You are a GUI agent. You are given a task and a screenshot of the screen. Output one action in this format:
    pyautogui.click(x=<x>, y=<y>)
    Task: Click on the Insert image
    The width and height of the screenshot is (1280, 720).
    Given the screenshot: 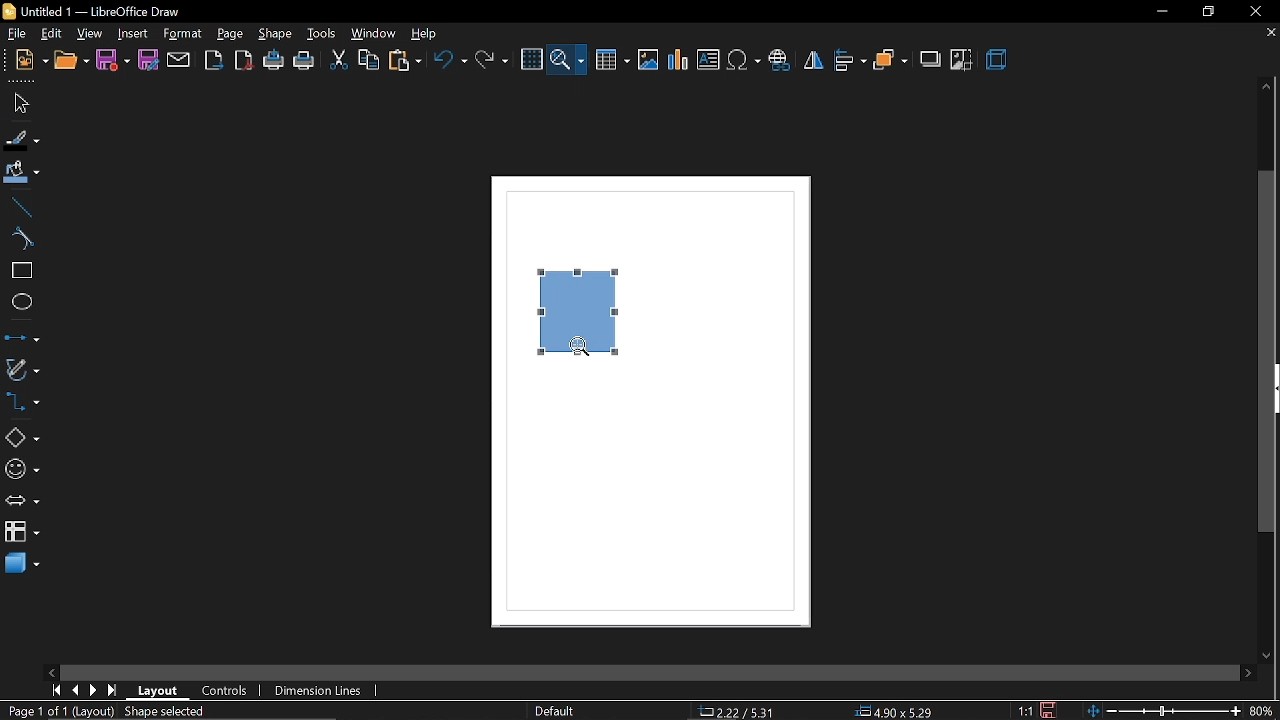 What is the action you would take?
    pyautogui.click(x=649, y=61)
    